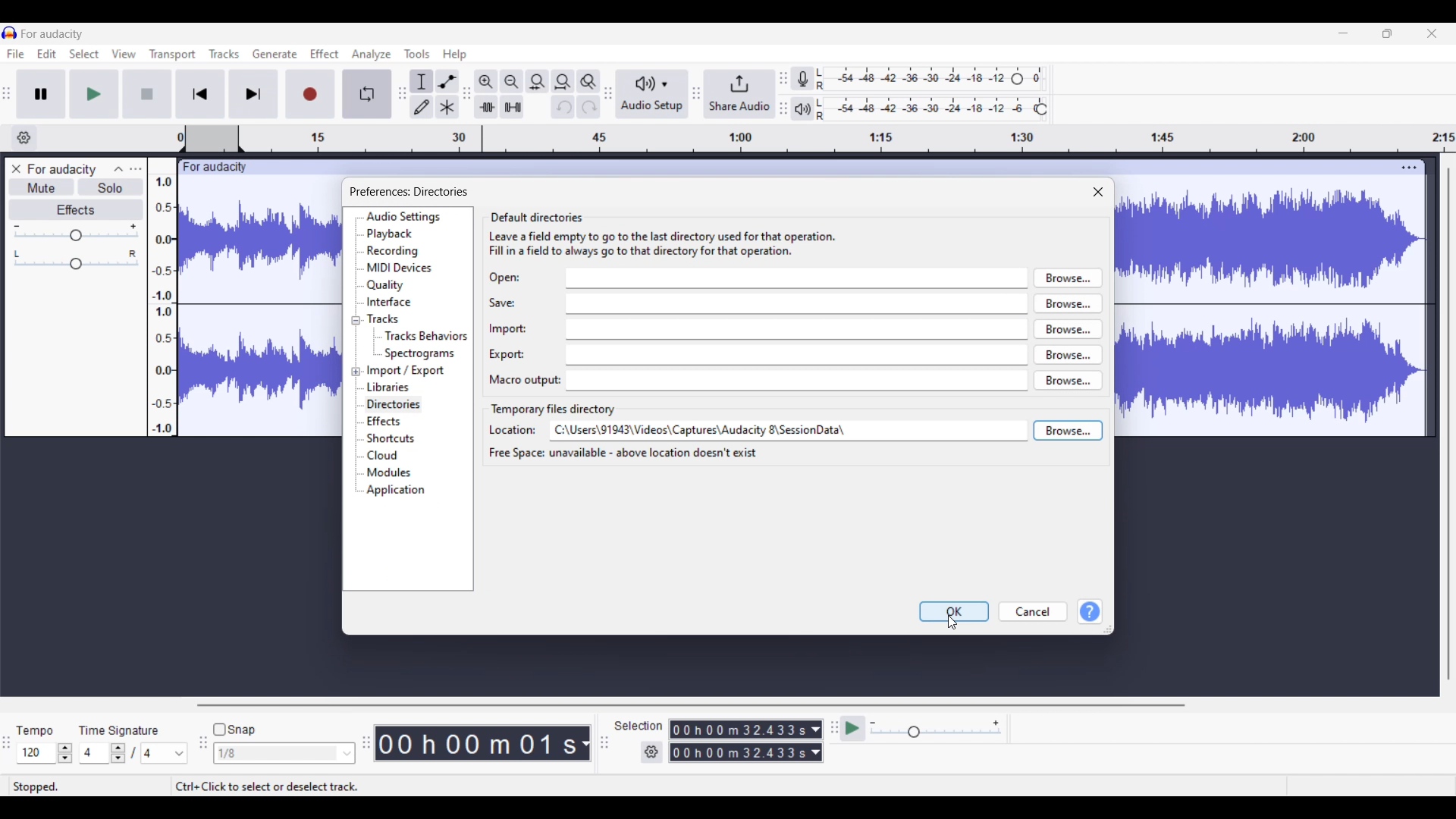  What do you see at coordinates (76, 231) in the screenshot?
I see `Volume scale` at bounding box center [76, 231].